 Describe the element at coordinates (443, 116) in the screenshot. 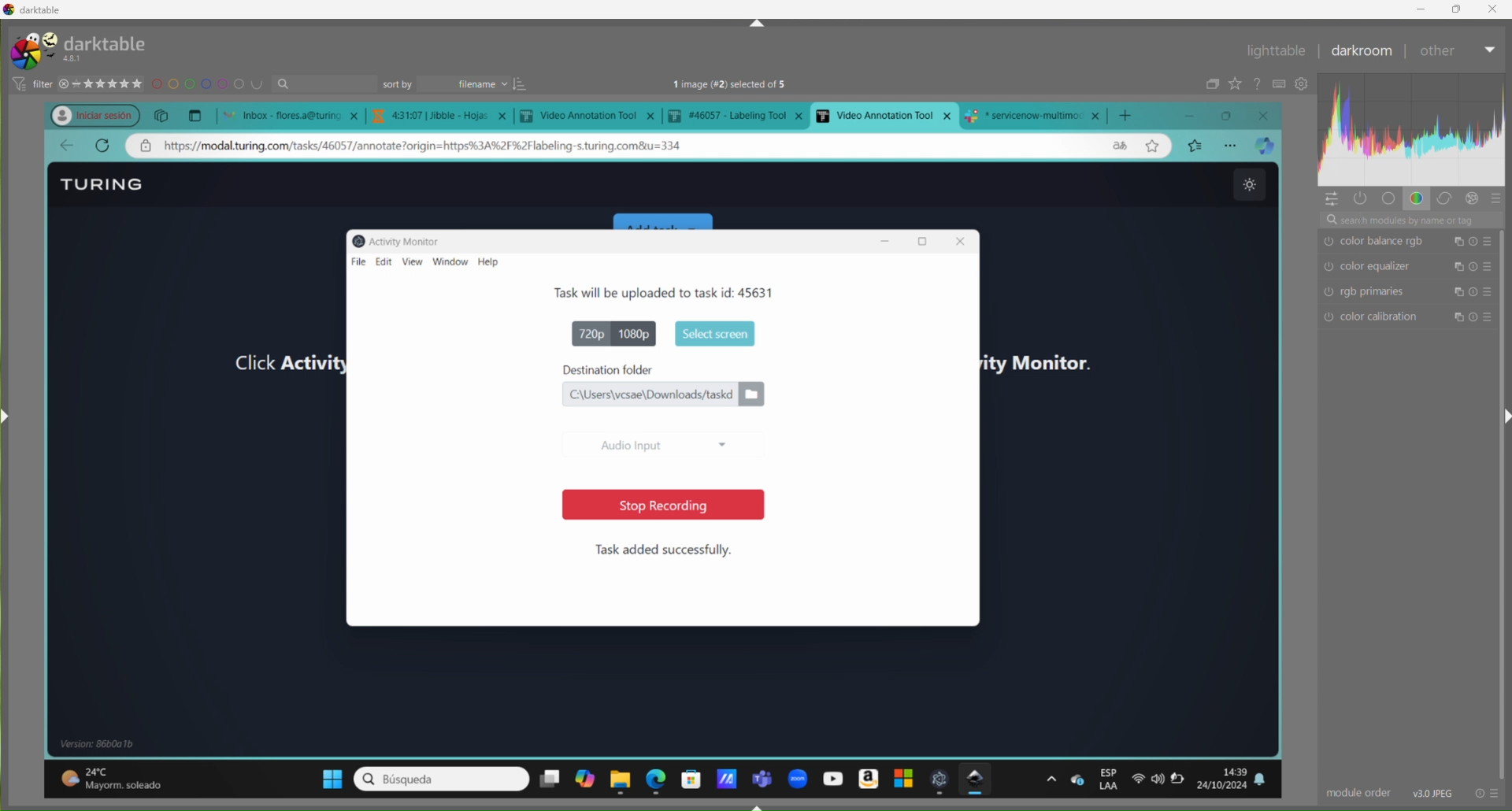

I see `tab` at that location.